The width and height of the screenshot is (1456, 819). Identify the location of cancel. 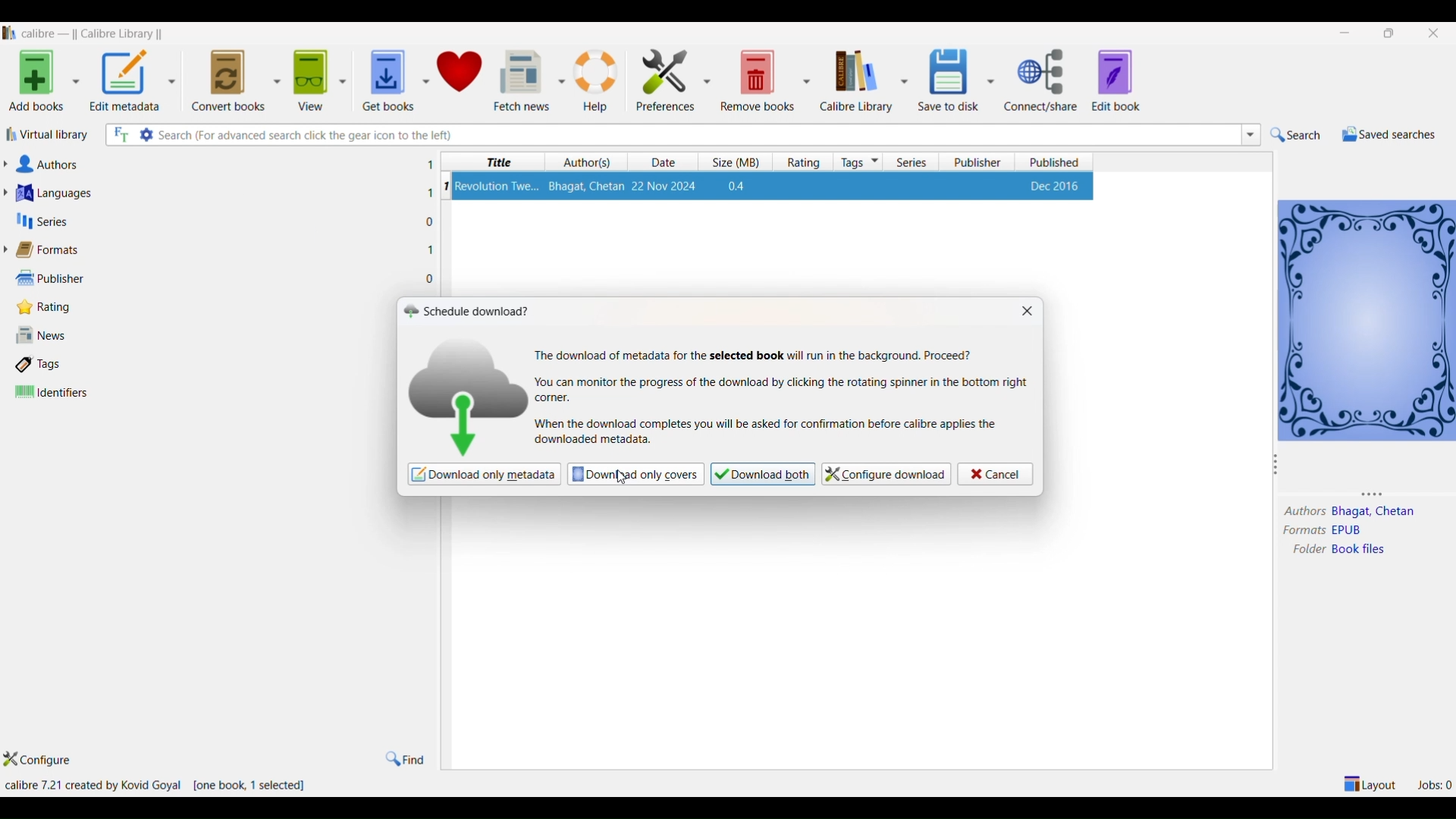
(994, 474).